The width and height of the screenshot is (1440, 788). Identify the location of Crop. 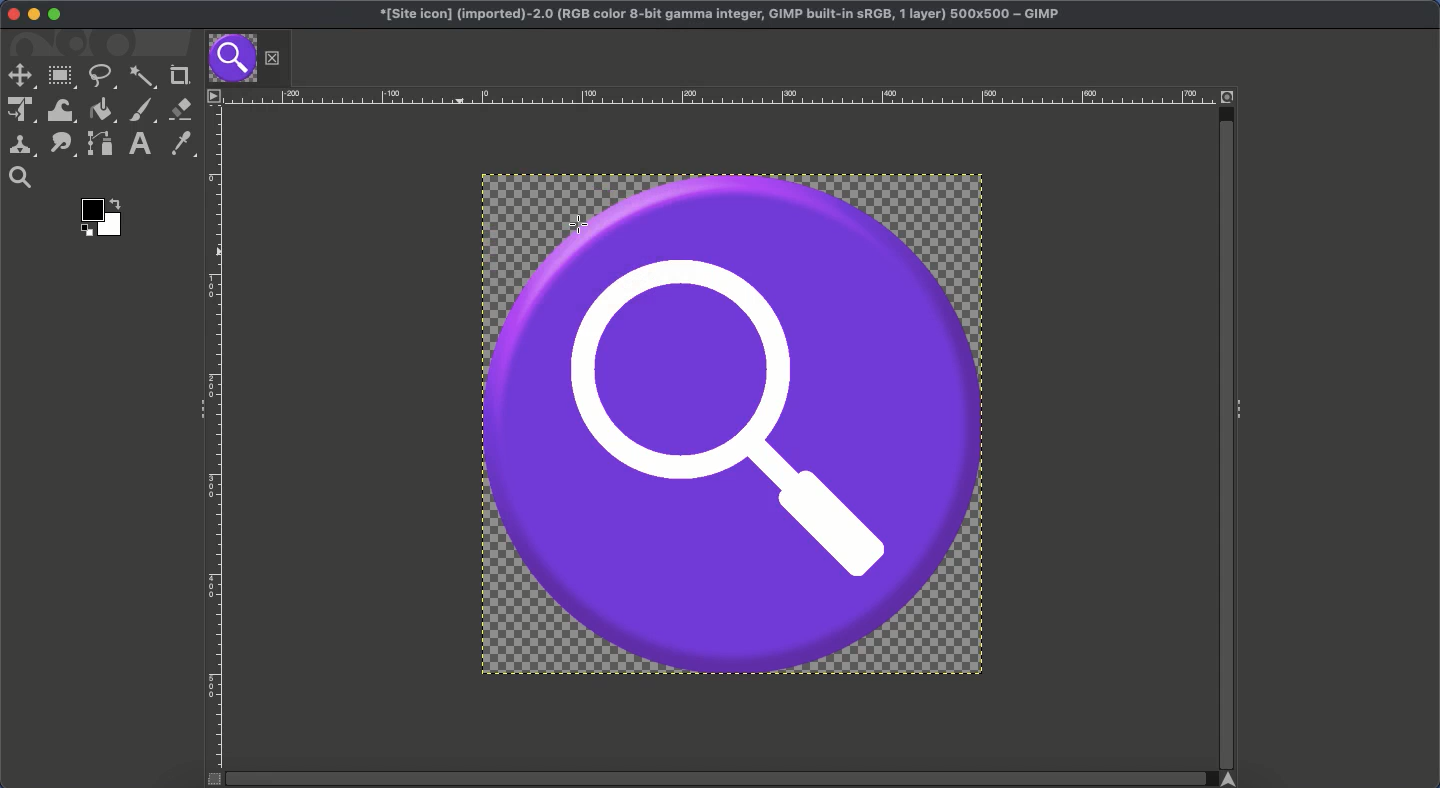
(179, 73).